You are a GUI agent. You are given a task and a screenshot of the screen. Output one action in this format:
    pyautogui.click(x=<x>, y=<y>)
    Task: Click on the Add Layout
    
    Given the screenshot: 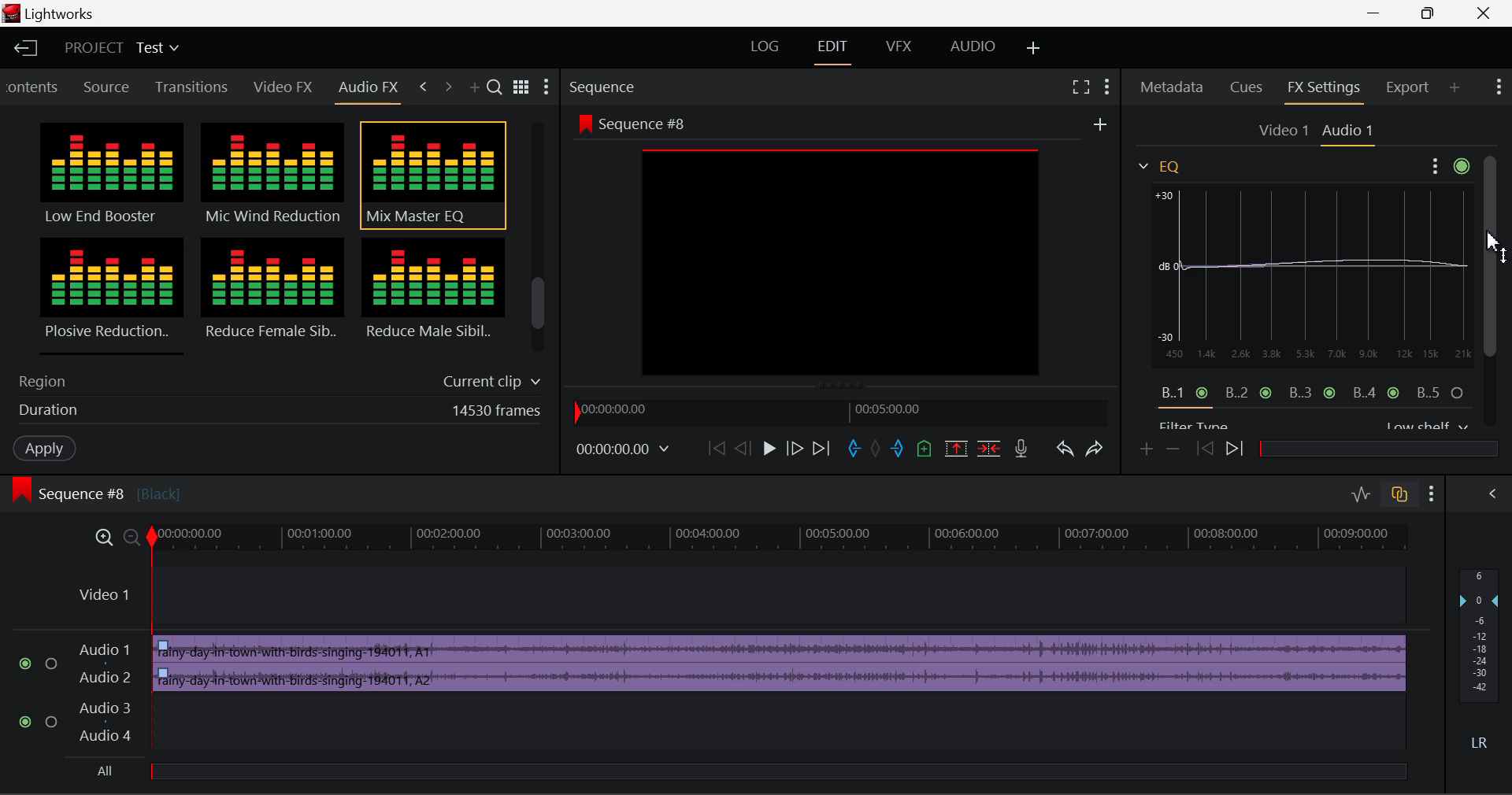 What is the action you would take?
    pyautogui.click(x=1031, y=47)
    